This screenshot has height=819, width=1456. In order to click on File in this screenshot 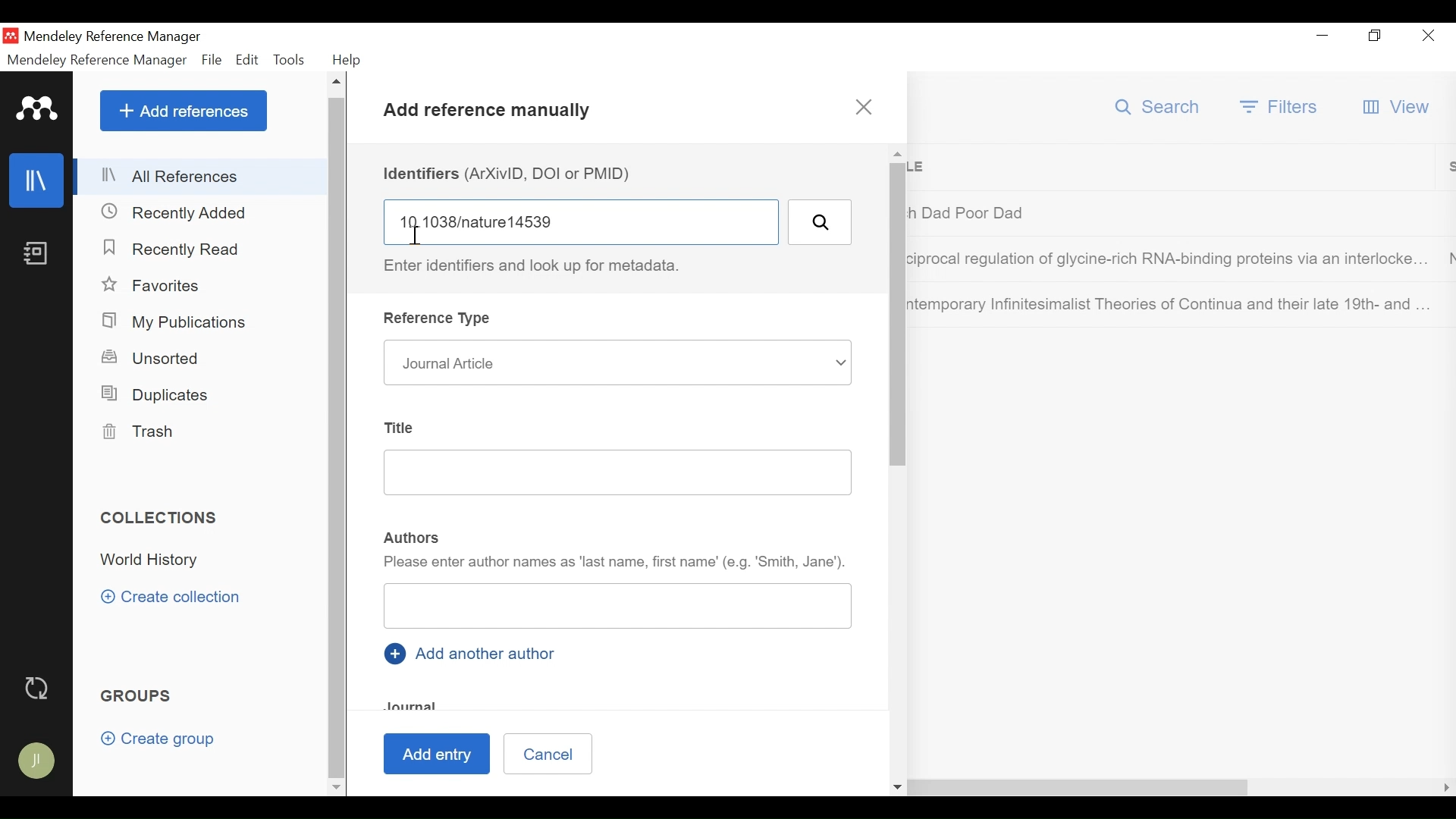, I will do `click(212, 59)`.